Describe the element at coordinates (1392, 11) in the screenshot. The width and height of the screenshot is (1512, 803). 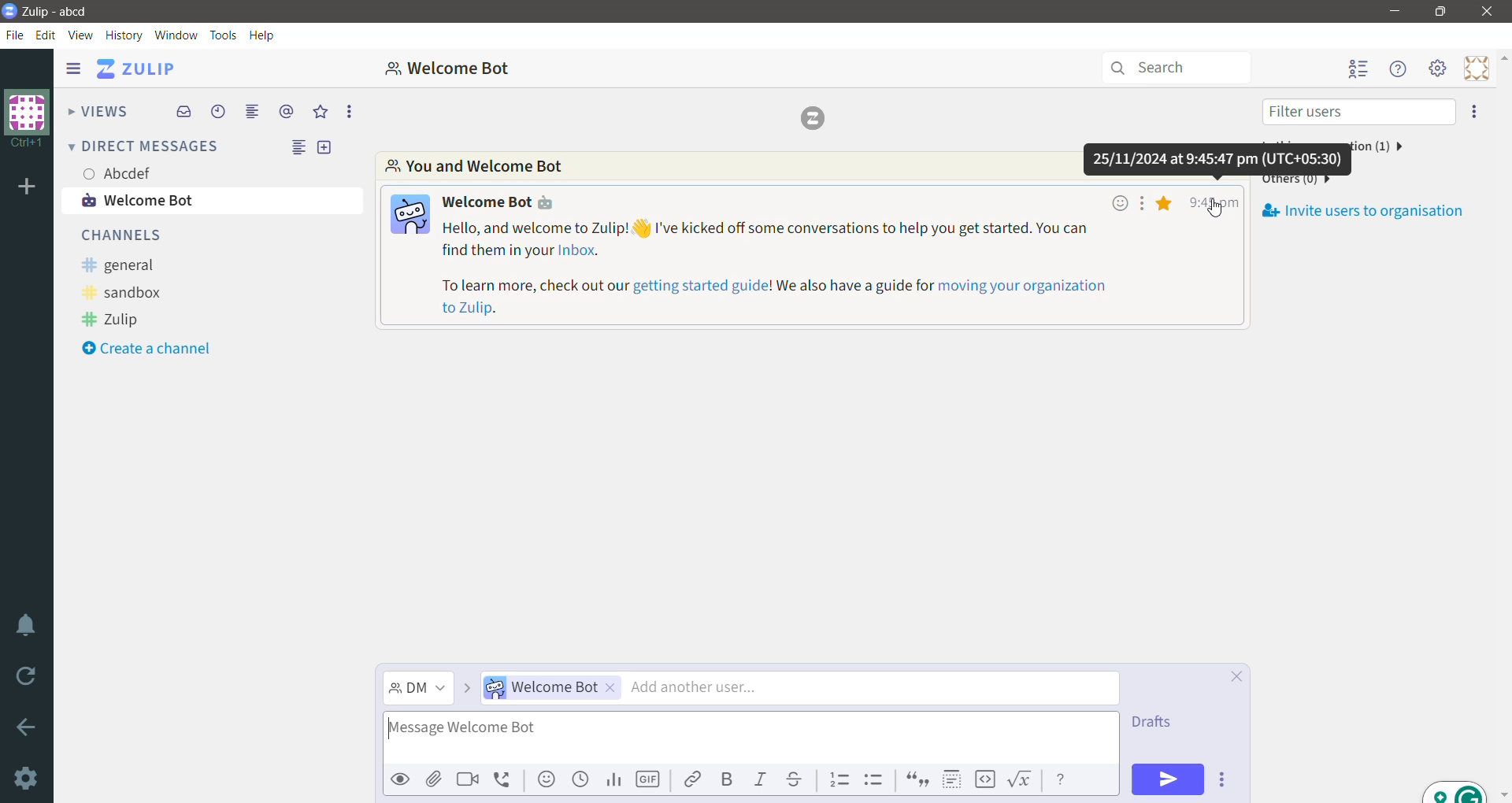
I see `Minimize` at that location.